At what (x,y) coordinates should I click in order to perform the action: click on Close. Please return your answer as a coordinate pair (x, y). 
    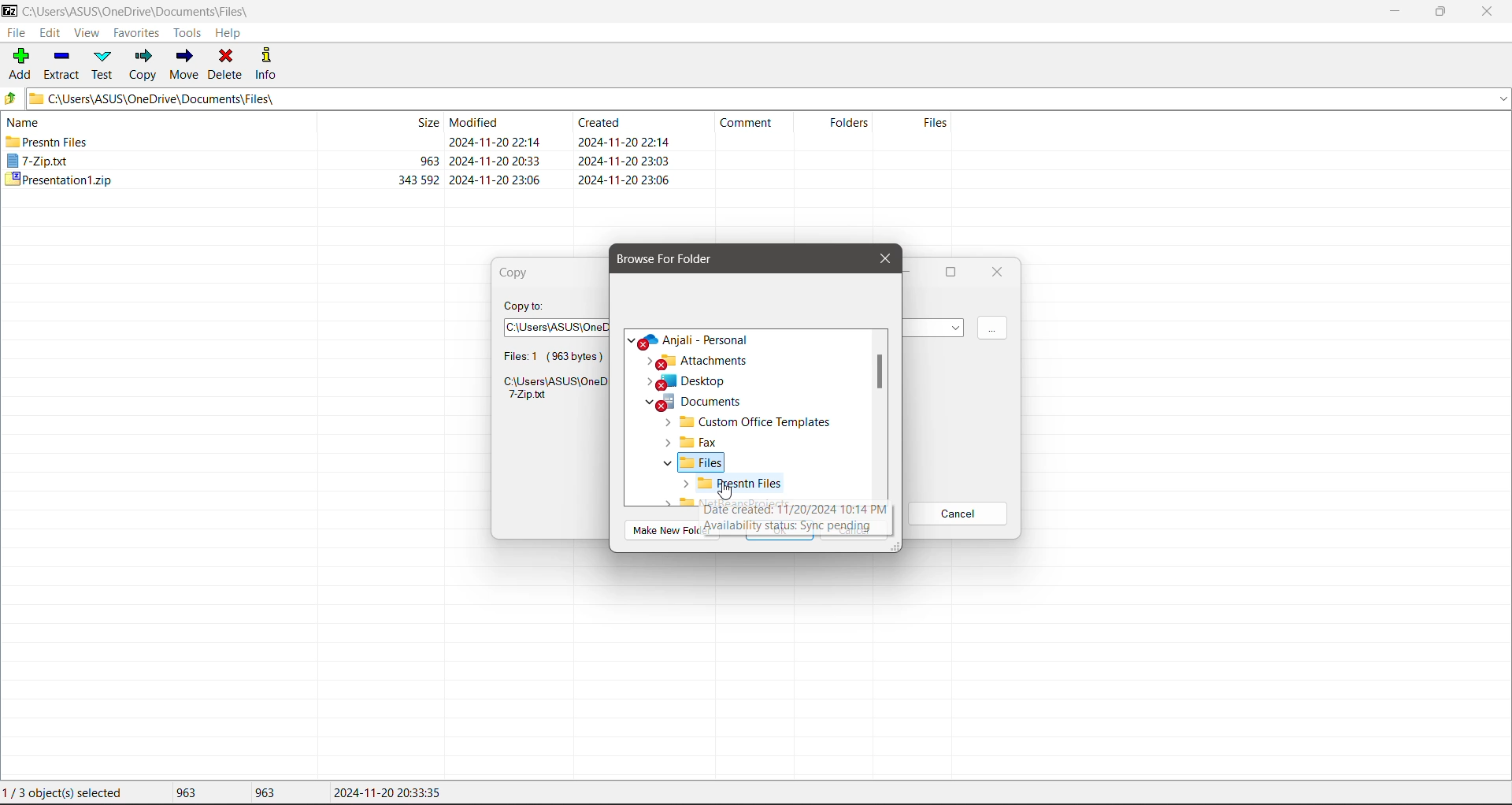
    Looking at the image, I should click on (885, 259).